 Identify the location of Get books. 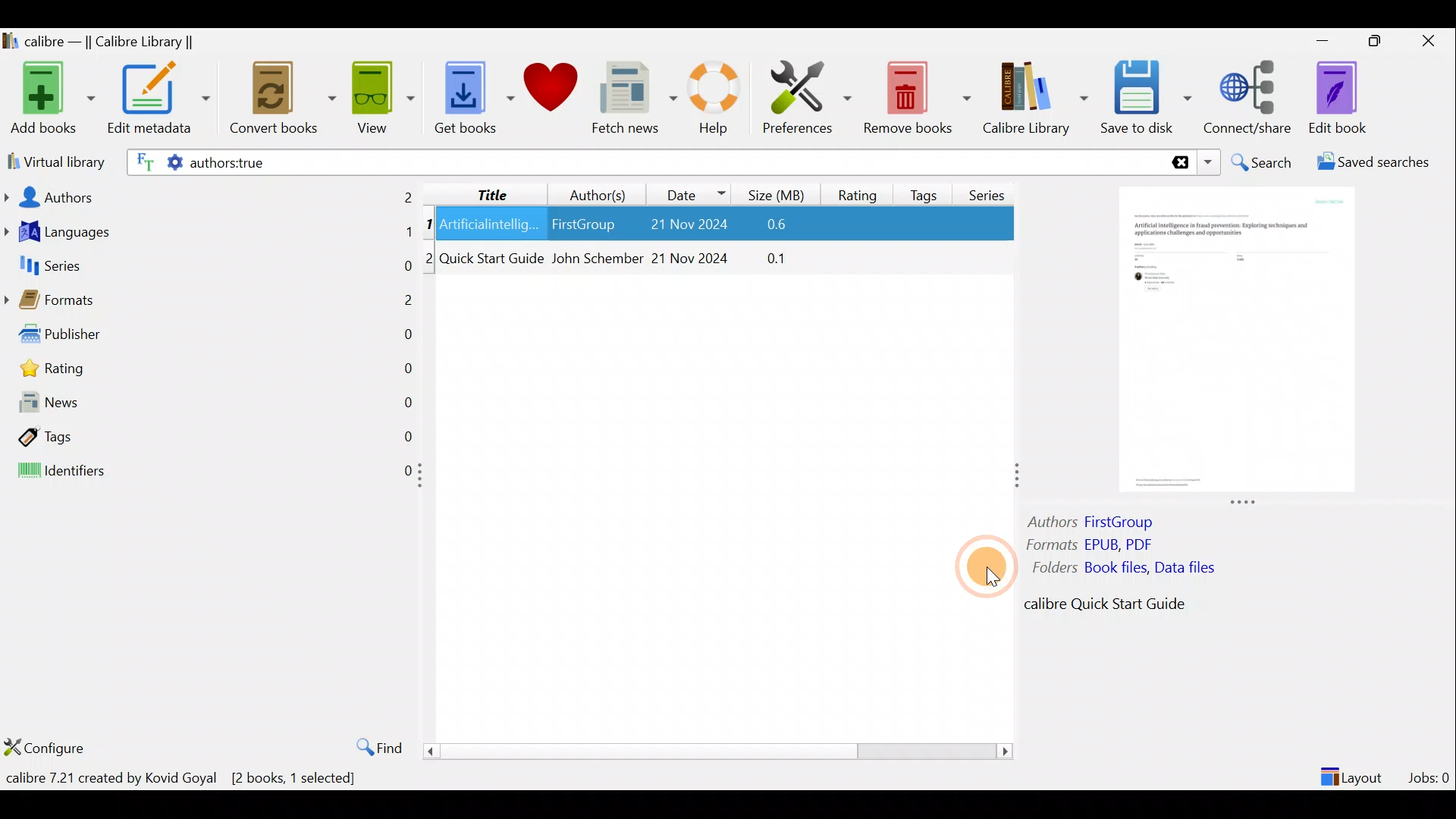
(472, 96).